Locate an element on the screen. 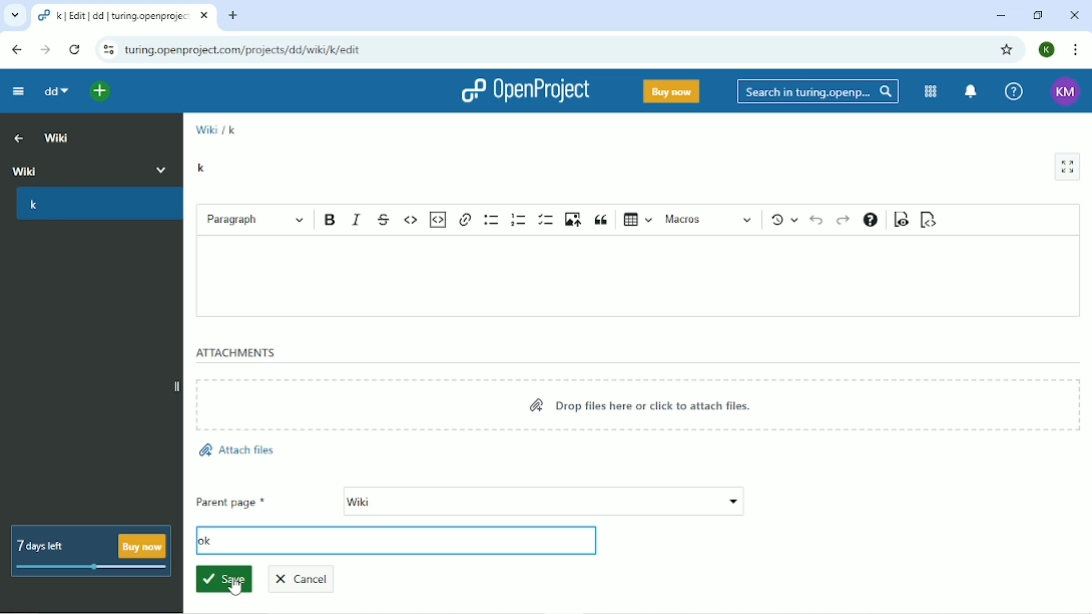 This screenshot has width=1092, height=614. Link is located at coordinates (466, 218).